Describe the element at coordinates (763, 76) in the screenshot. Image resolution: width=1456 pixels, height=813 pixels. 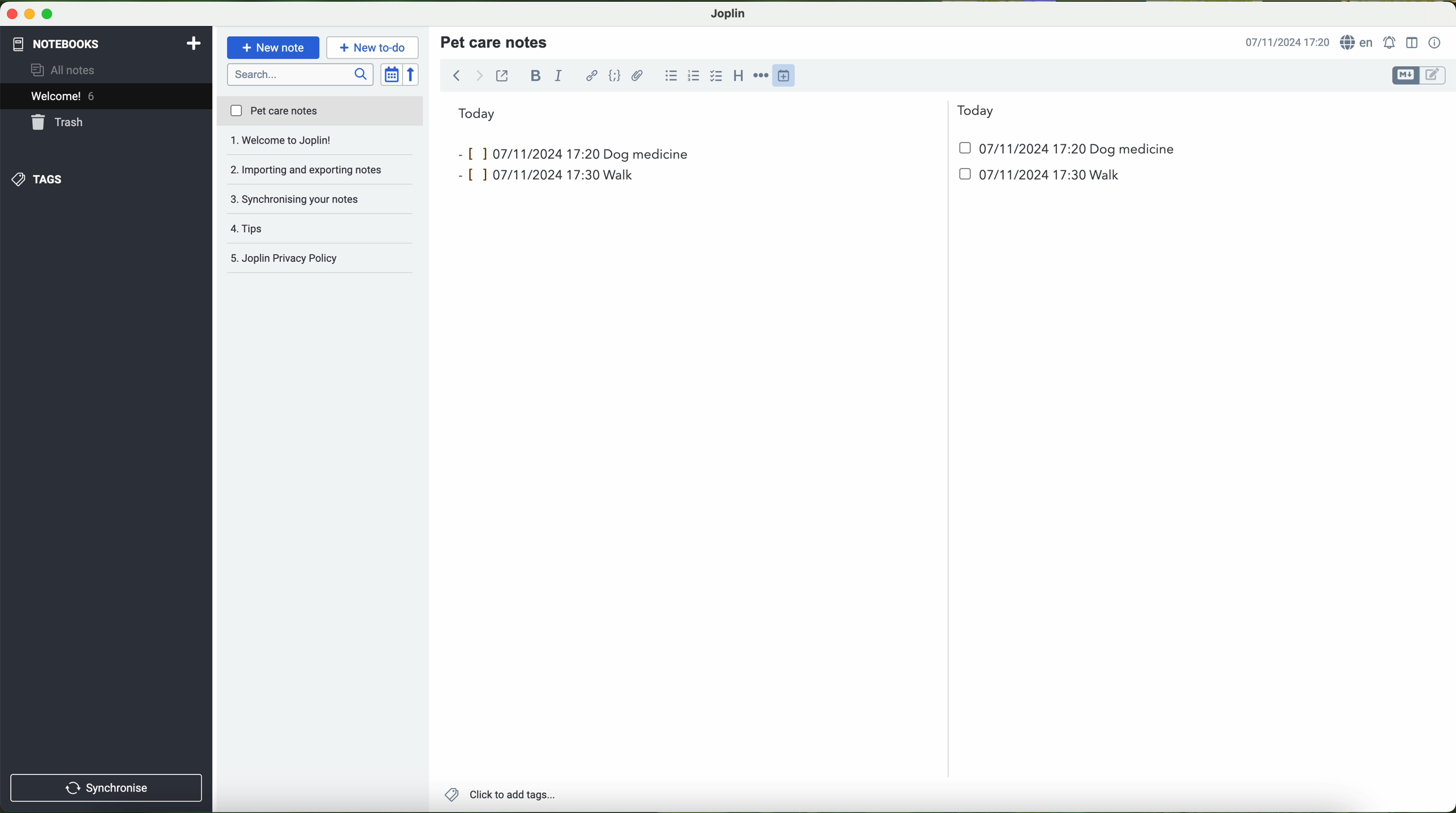
I see `horizontal rule` at that location.